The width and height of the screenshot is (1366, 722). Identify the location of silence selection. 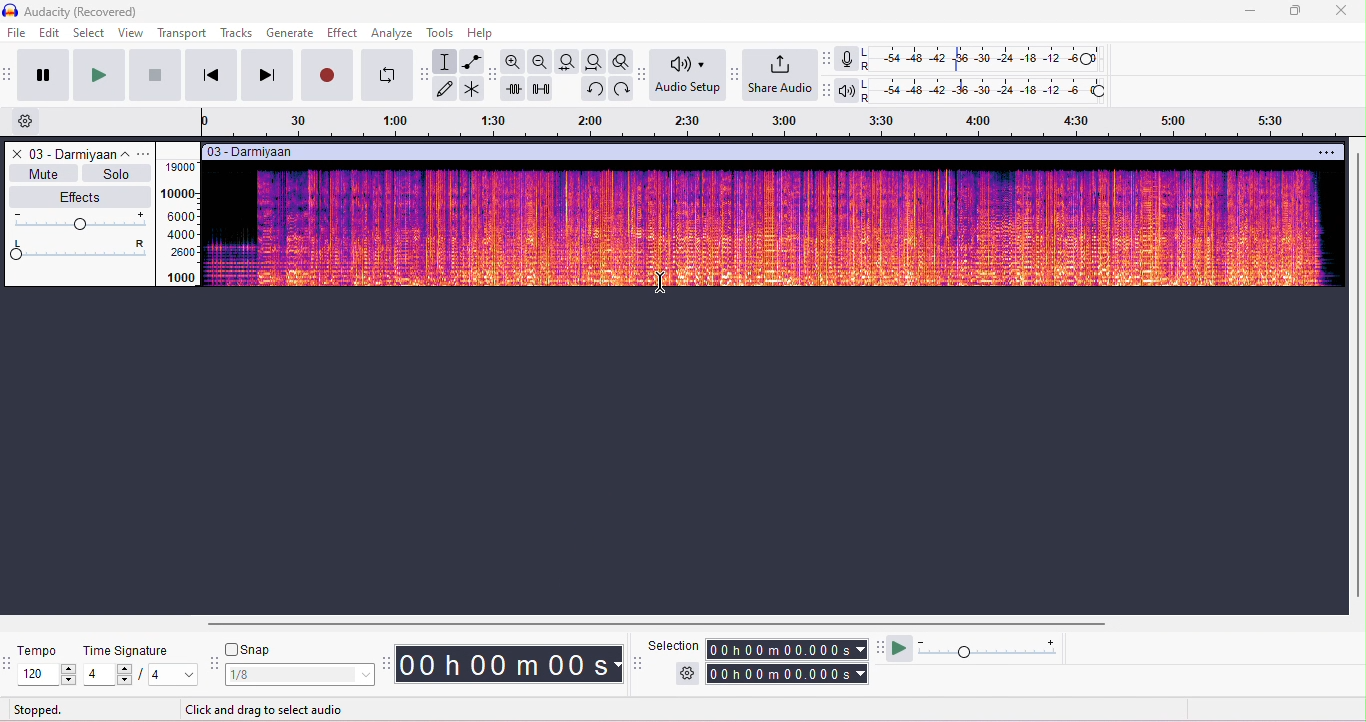
(540, 89).